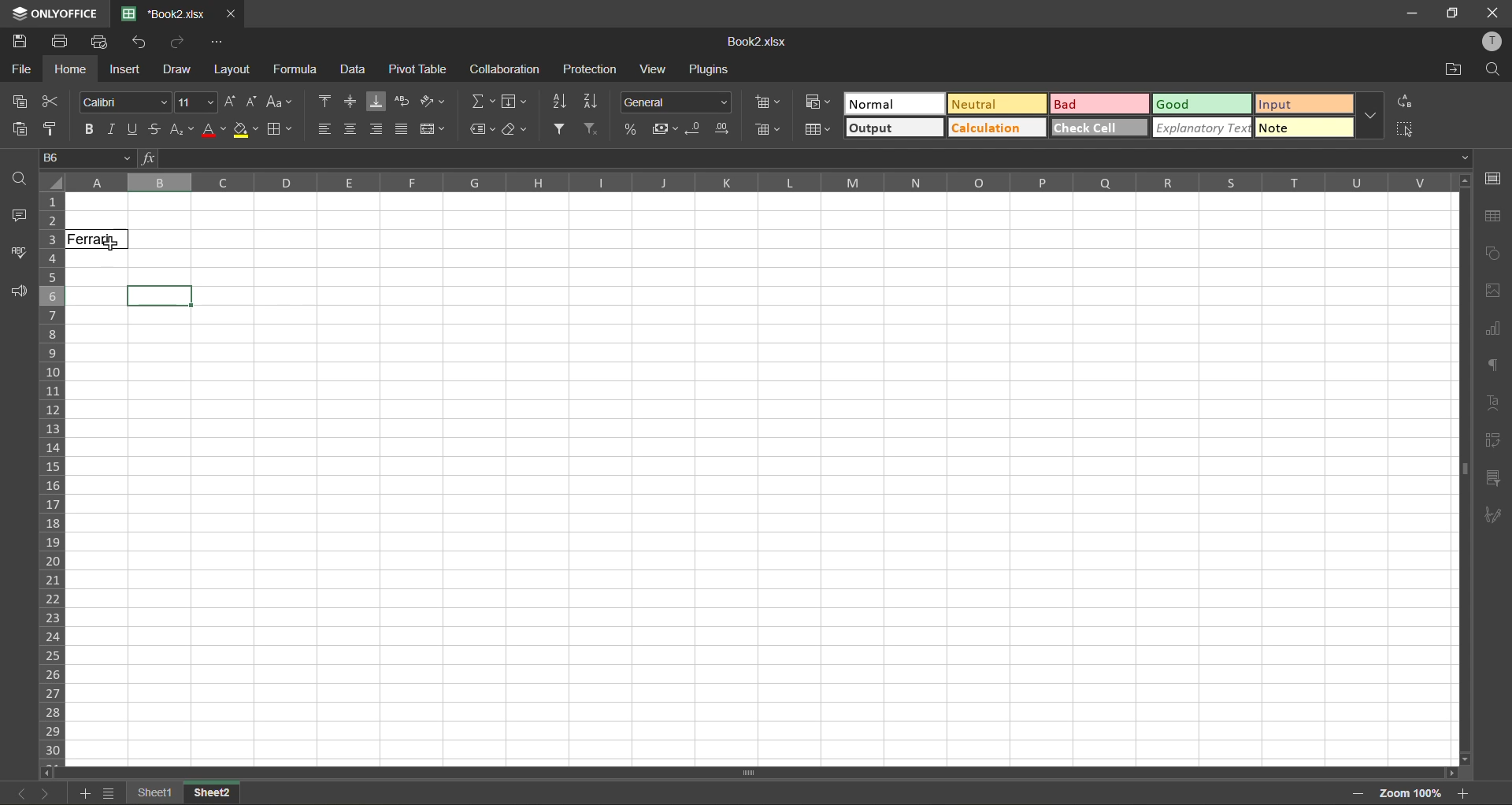 Image resolution: width=1512 pixels, height=805 pixels. I want to click on maximize, so click(1453, 14).